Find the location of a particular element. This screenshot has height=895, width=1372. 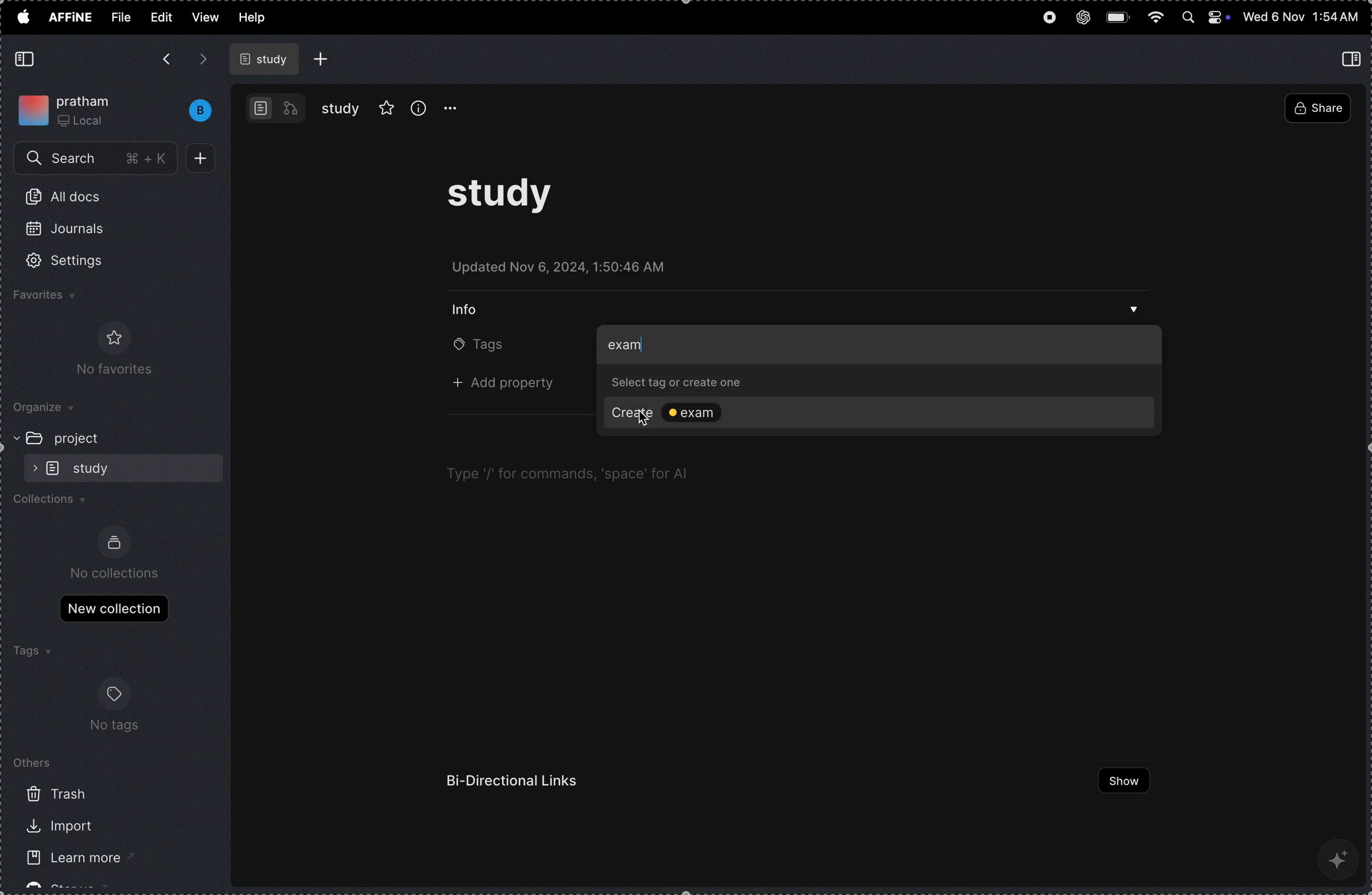

study task is located at coordinates (510, 200).